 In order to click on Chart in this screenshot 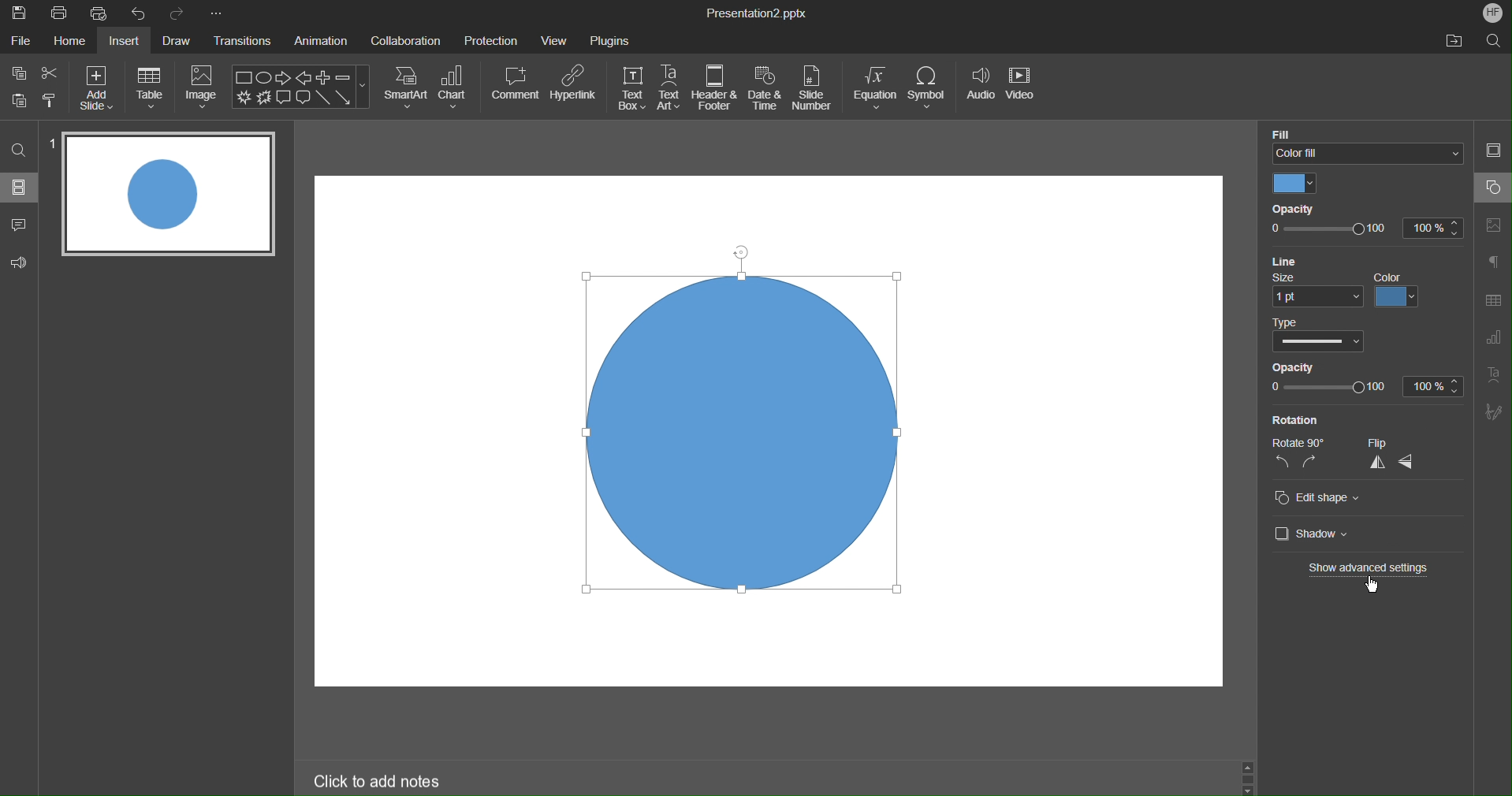, I will do `click(455, 87)`.